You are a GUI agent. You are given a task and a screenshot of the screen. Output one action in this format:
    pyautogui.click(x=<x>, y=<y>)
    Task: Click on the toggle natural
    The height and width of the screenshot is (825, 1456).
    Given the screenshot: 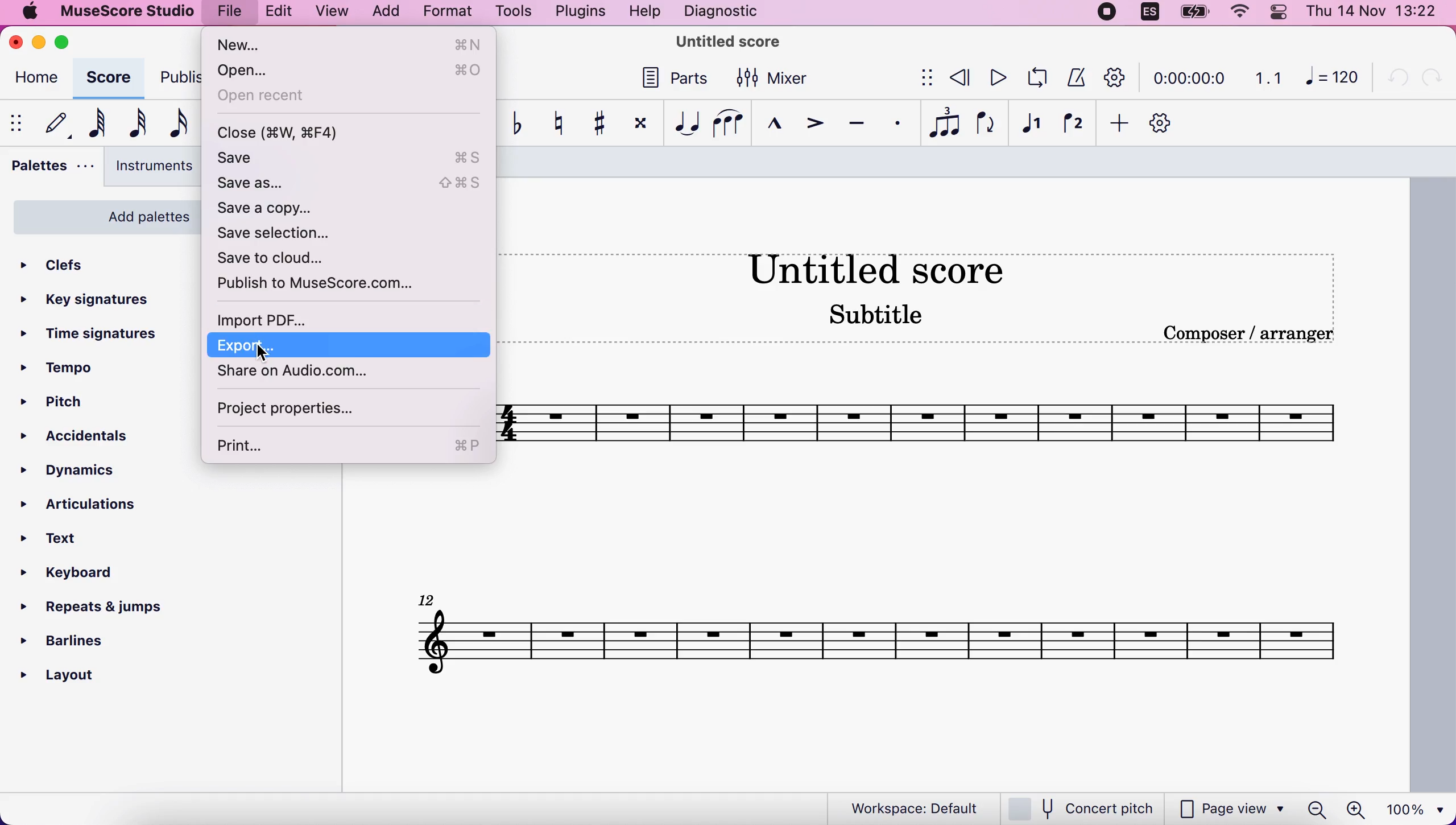 What is the action you would take?
    pyautogui.click(x=556, y=126)
    